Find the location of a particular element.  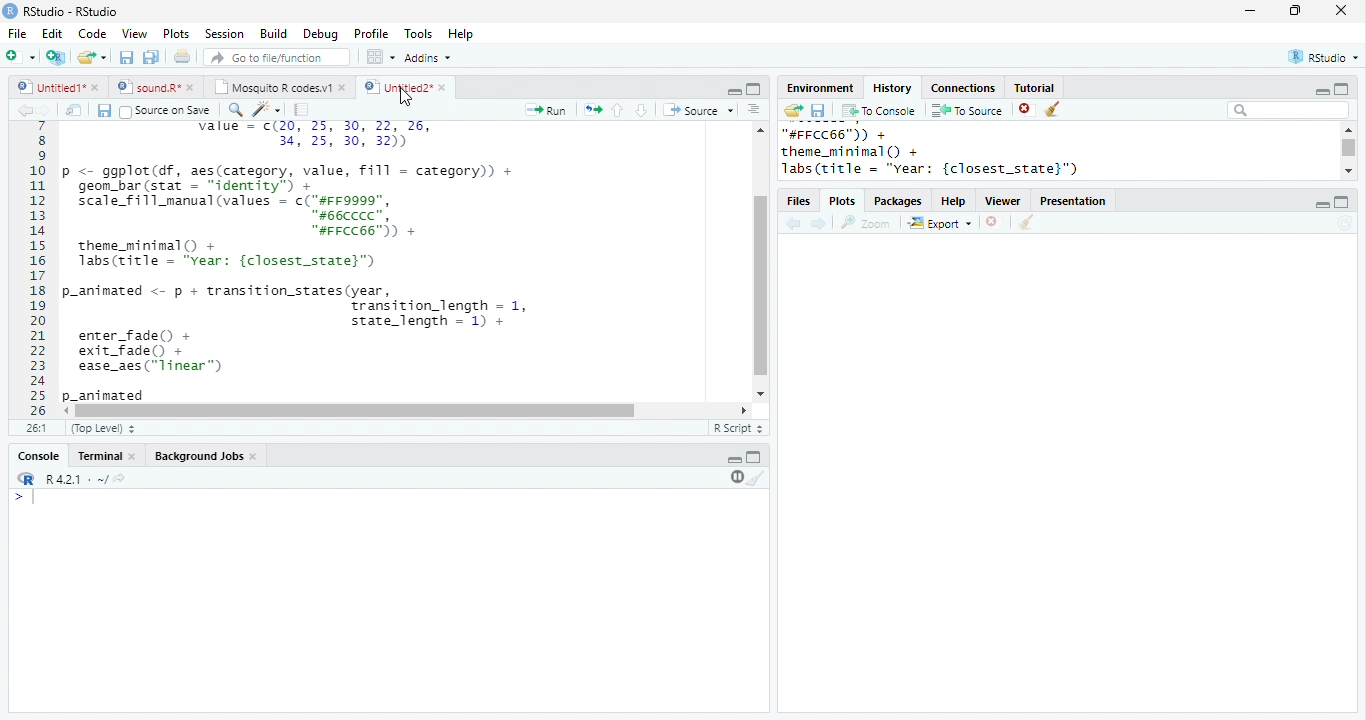

down is located at coordinates (640, 110).